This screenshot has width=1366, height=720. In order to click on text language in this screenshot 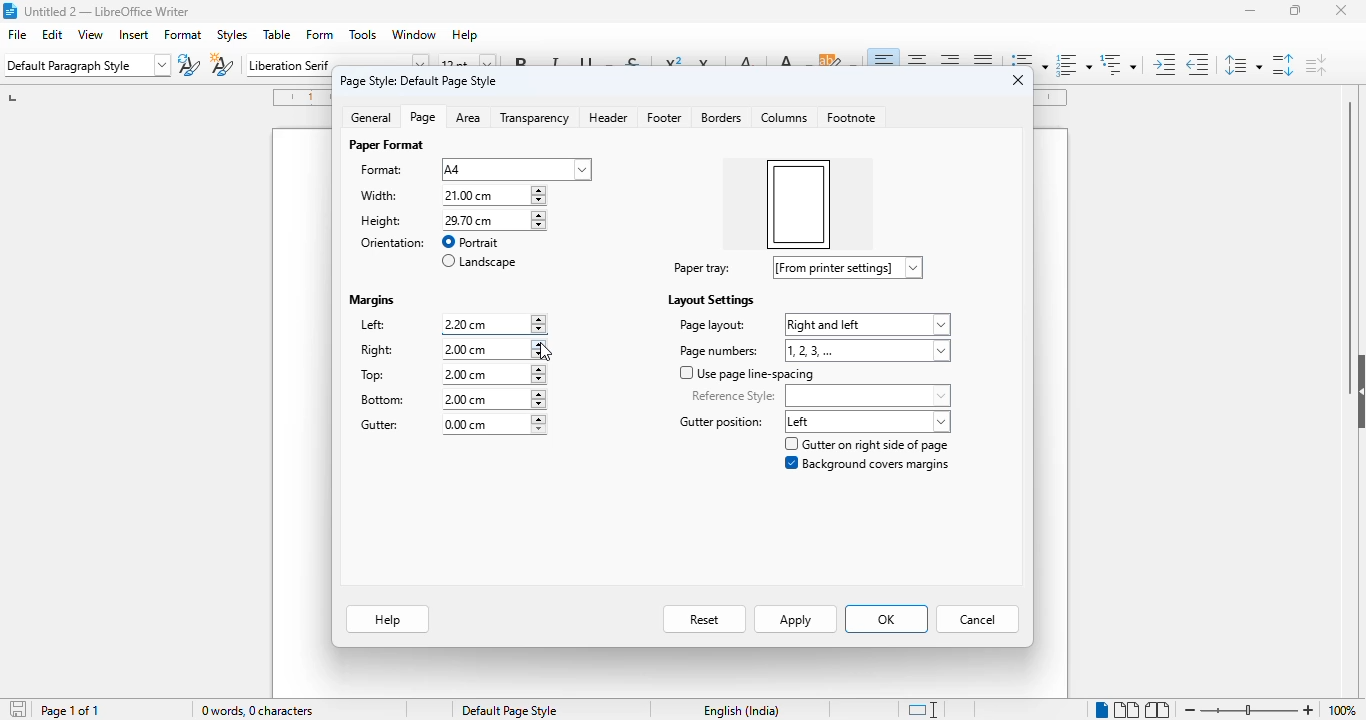, I will do `click(741, 710)`.